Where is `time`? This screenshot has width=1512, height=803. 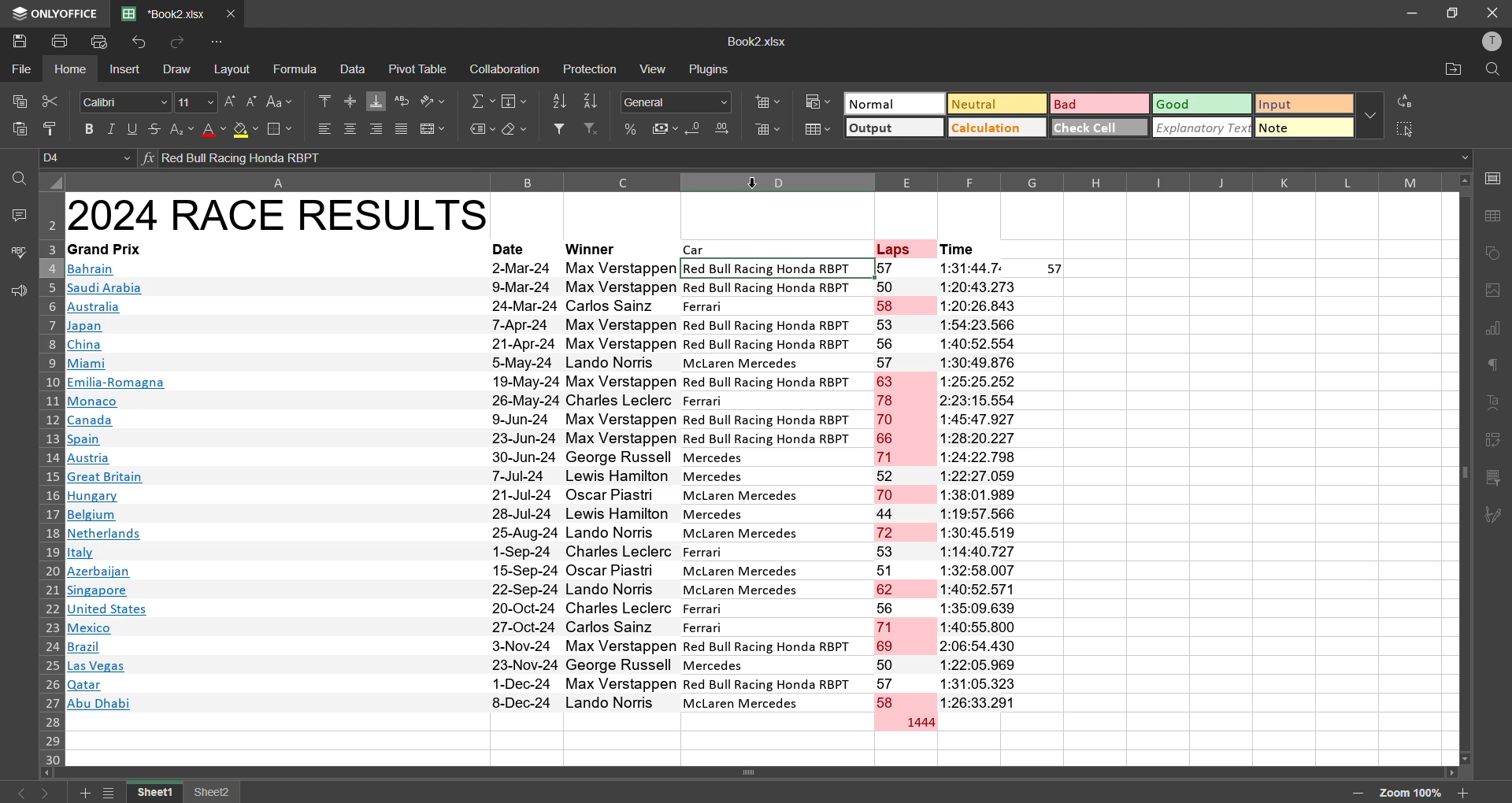 time is located at coordinates (982, 485).